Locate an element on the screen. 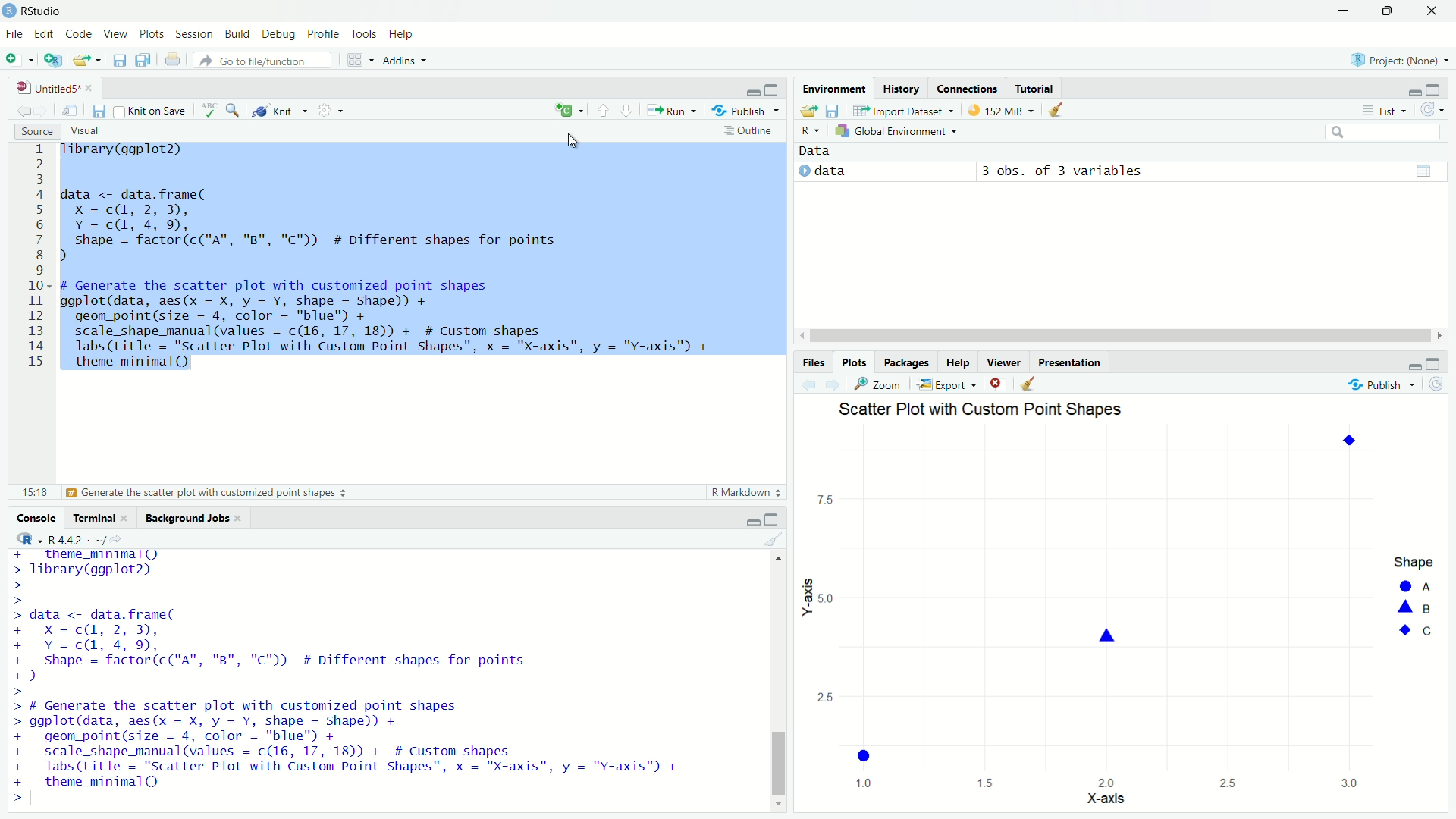 The width and height of the screenshot is (1456, 819). Go forward to next source location is located at coordinates (41, 111).